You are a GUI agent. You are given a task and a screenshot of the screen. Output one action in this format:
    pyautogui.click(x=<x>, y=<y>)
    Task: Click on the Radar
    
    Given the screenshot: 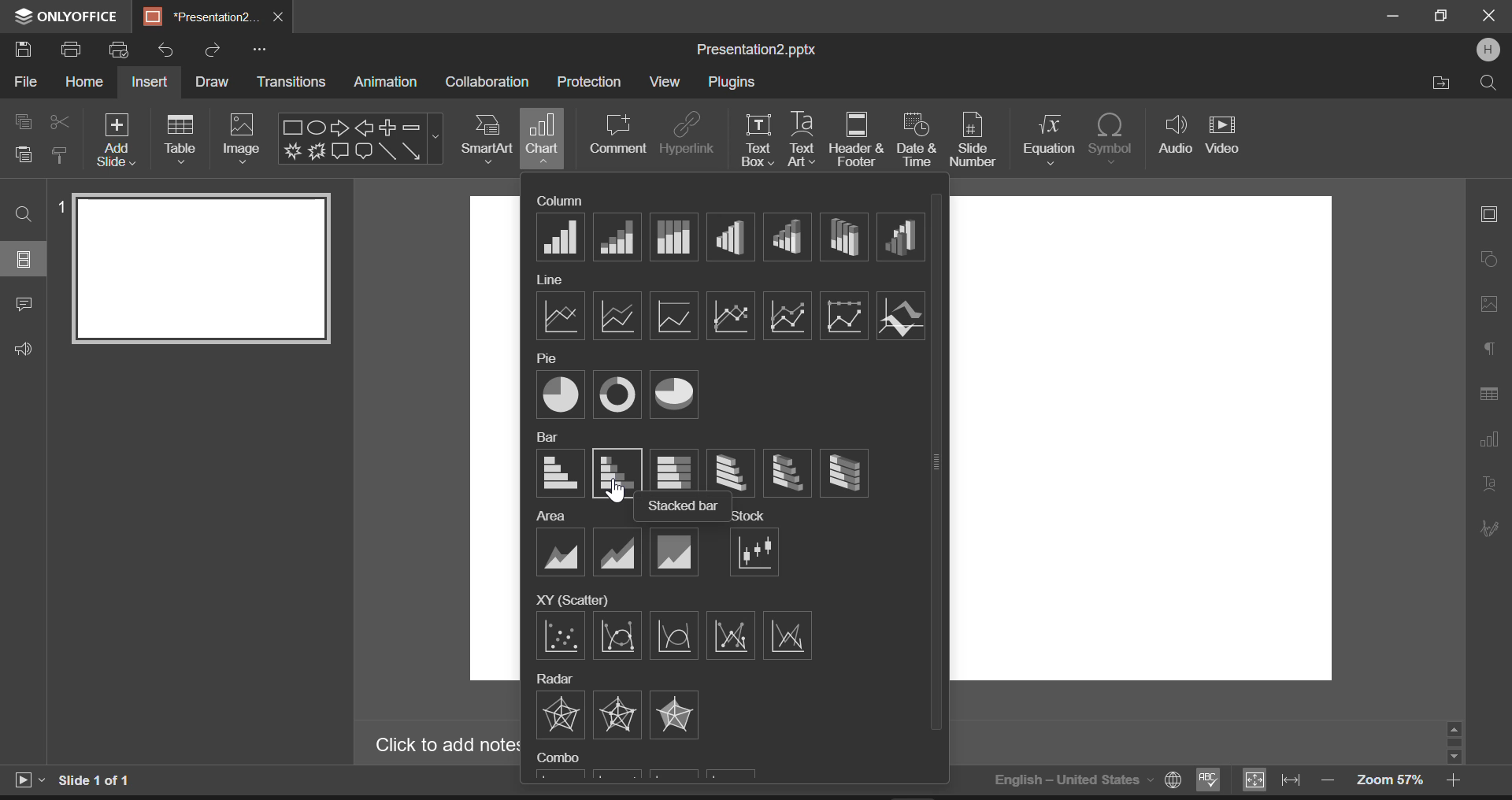 What is the action you would take?
    pyautogui.click(x=559, y=715)
    